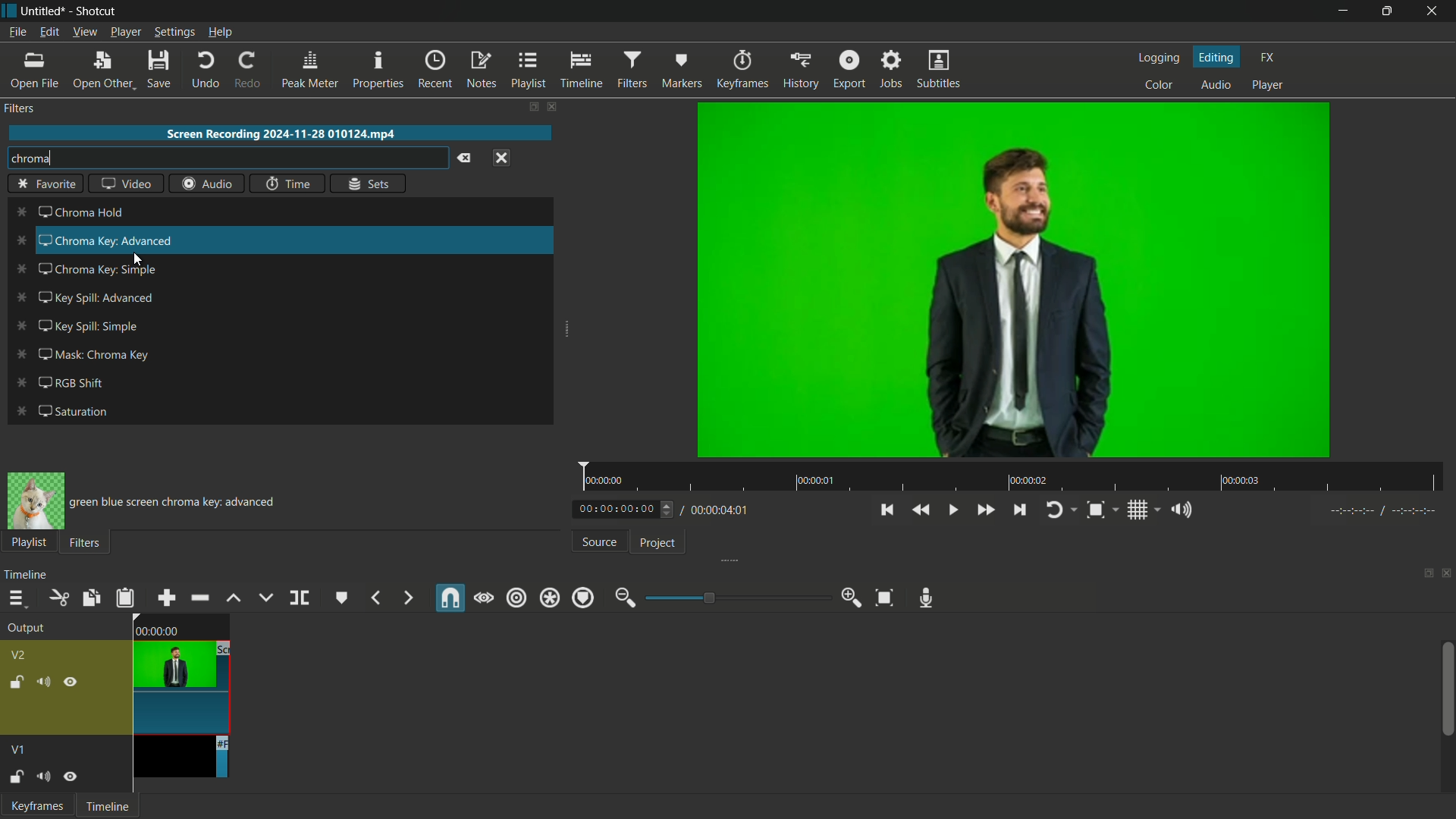 The width and height of the screenshot is (1456, 819). Describe the element at coordinates (33, 71) in the screenshot. I see `open file` at that location.